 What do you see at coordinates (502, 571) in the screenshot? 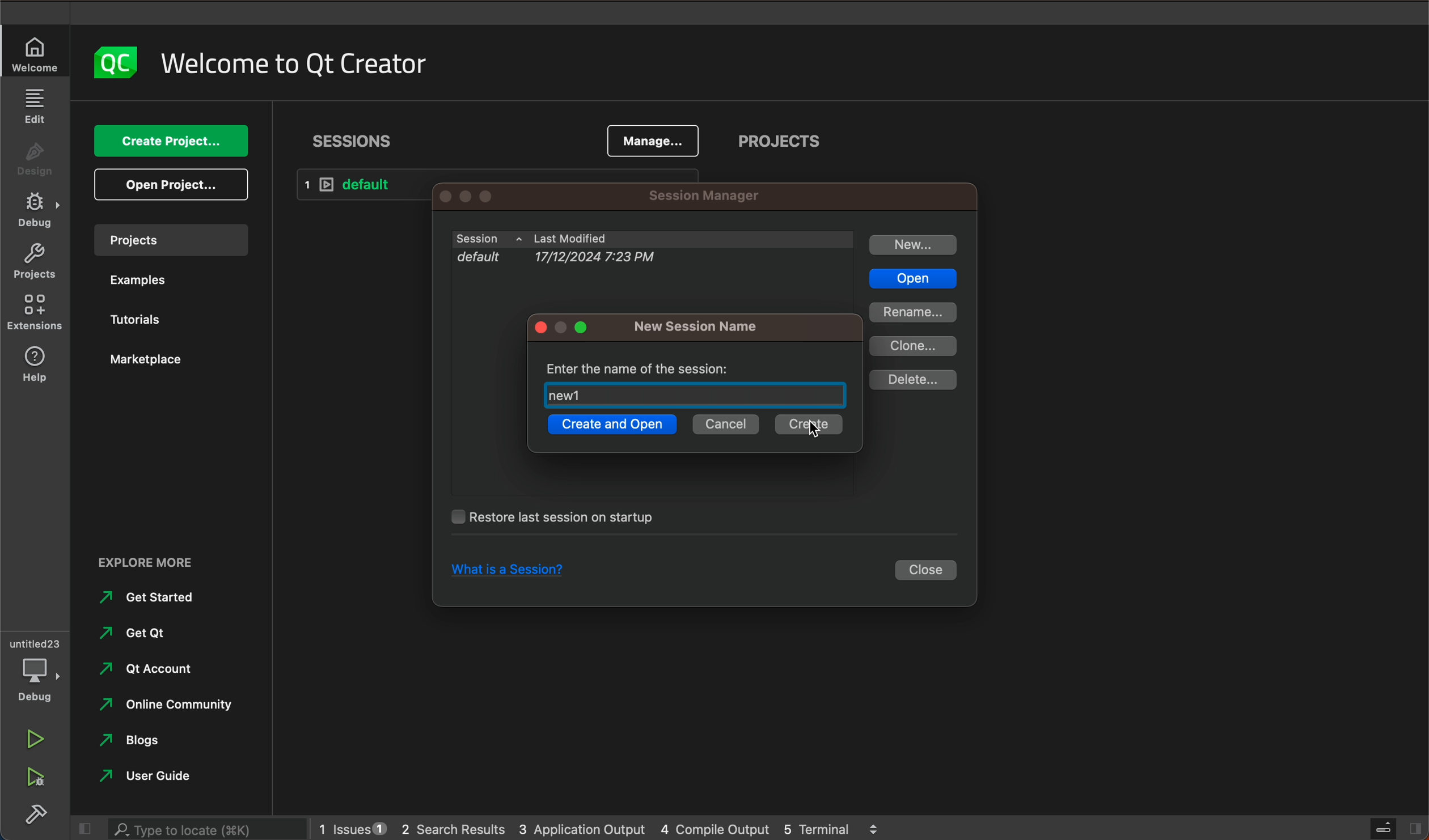
I see `what is a session?` at bounding box center [502, 571].